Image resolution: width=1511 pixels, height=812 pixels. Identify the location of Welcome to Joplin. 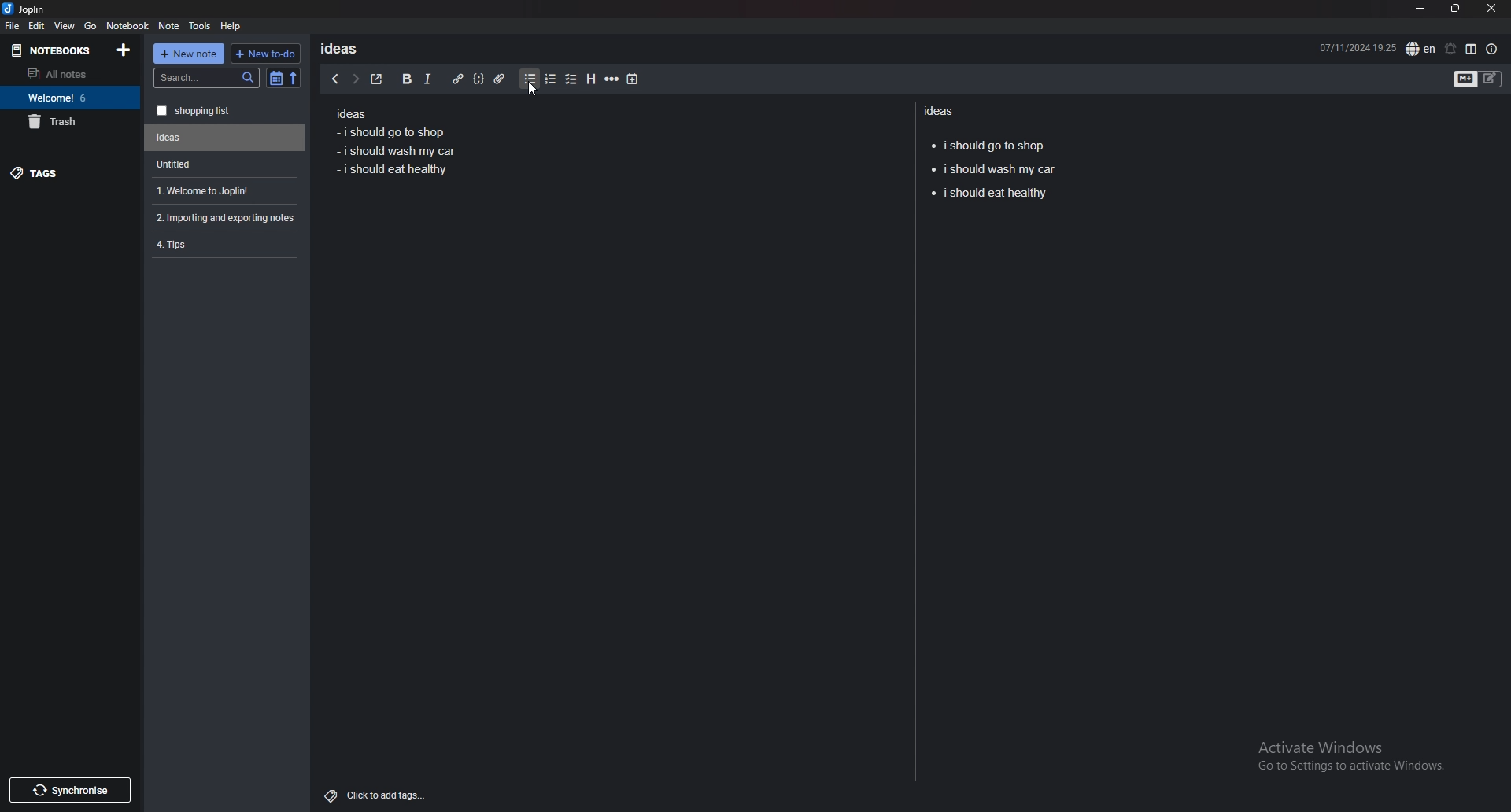
(222, 190).